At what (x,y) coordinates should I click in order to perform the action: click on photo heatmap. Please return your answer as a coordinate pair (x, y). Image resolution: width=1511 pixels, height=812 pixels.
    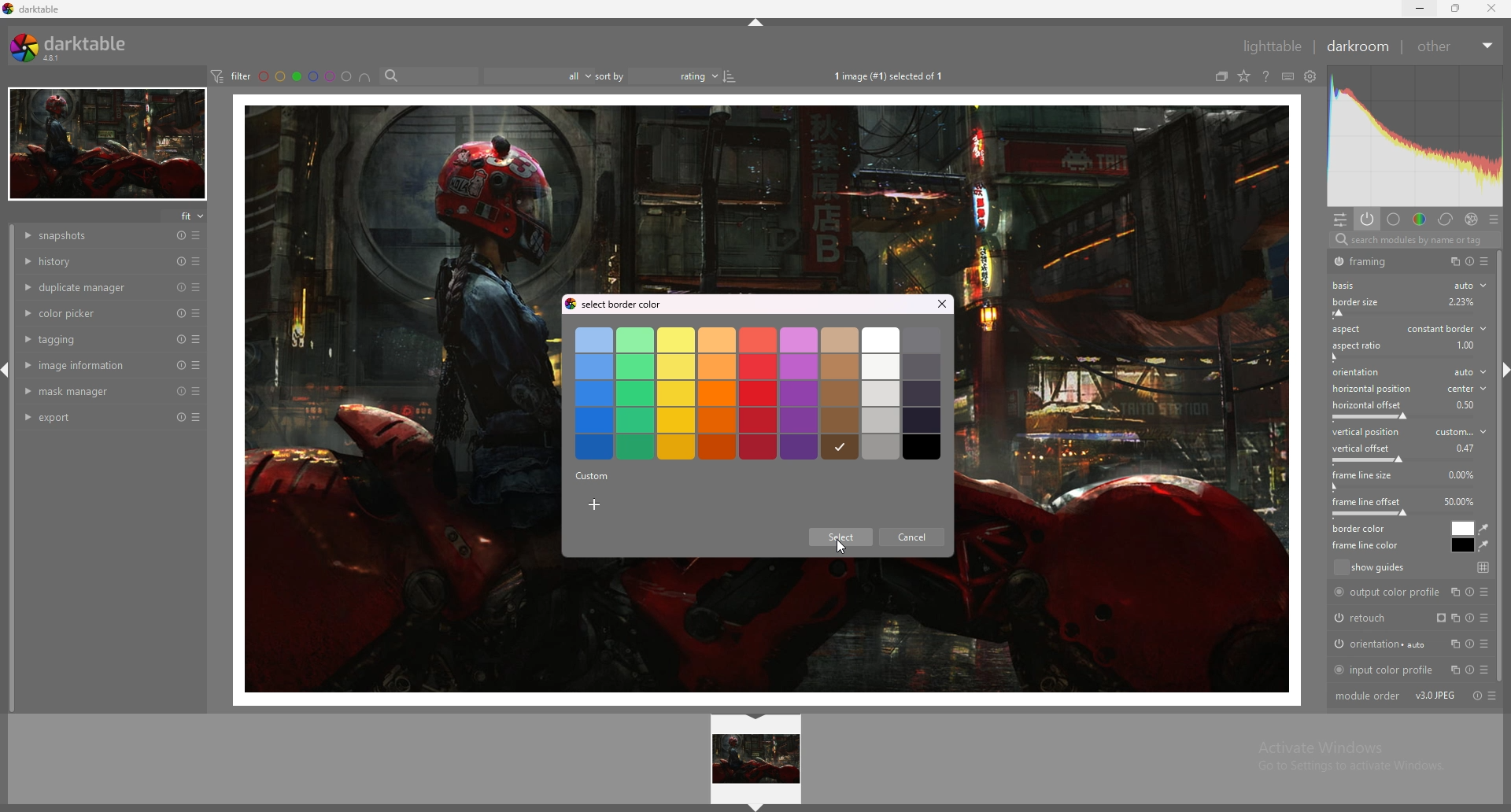
    Looking at the image, I should click on (1414, 138).